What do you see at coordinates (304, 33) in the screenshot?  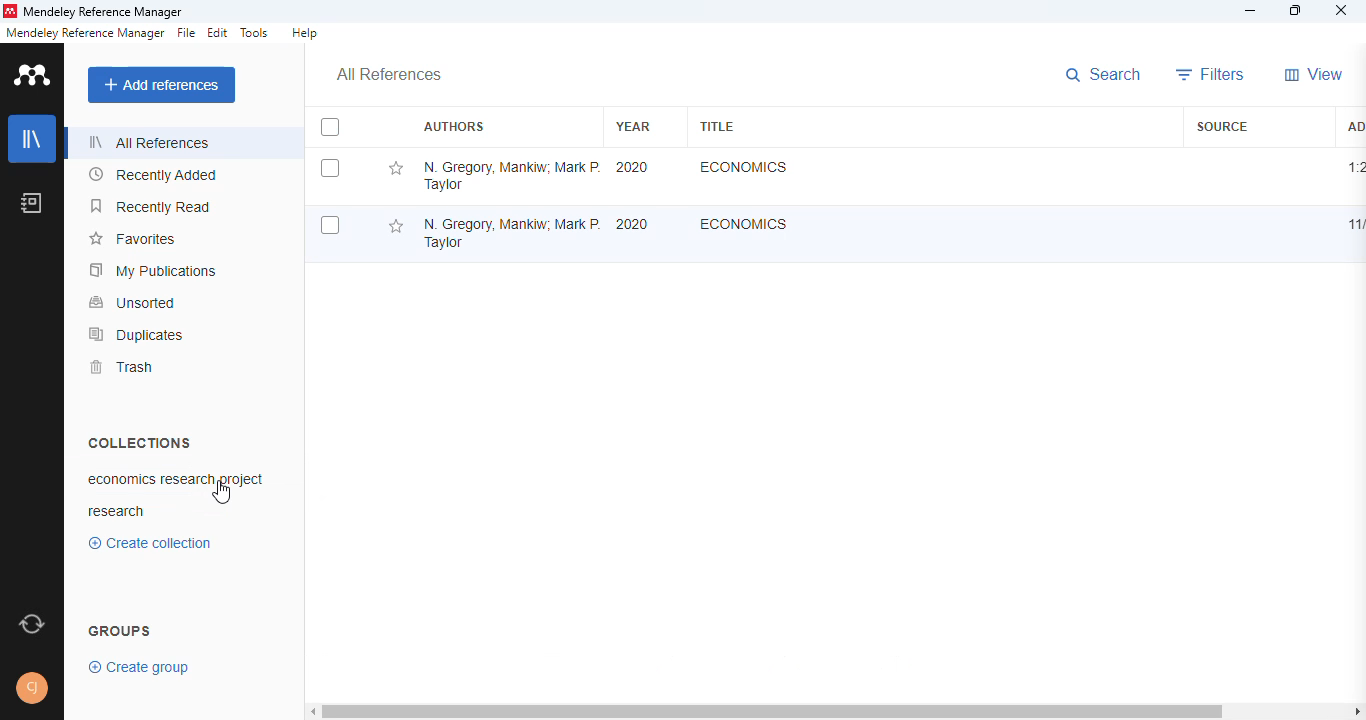 I see `help` at bounding box center [304, 33].